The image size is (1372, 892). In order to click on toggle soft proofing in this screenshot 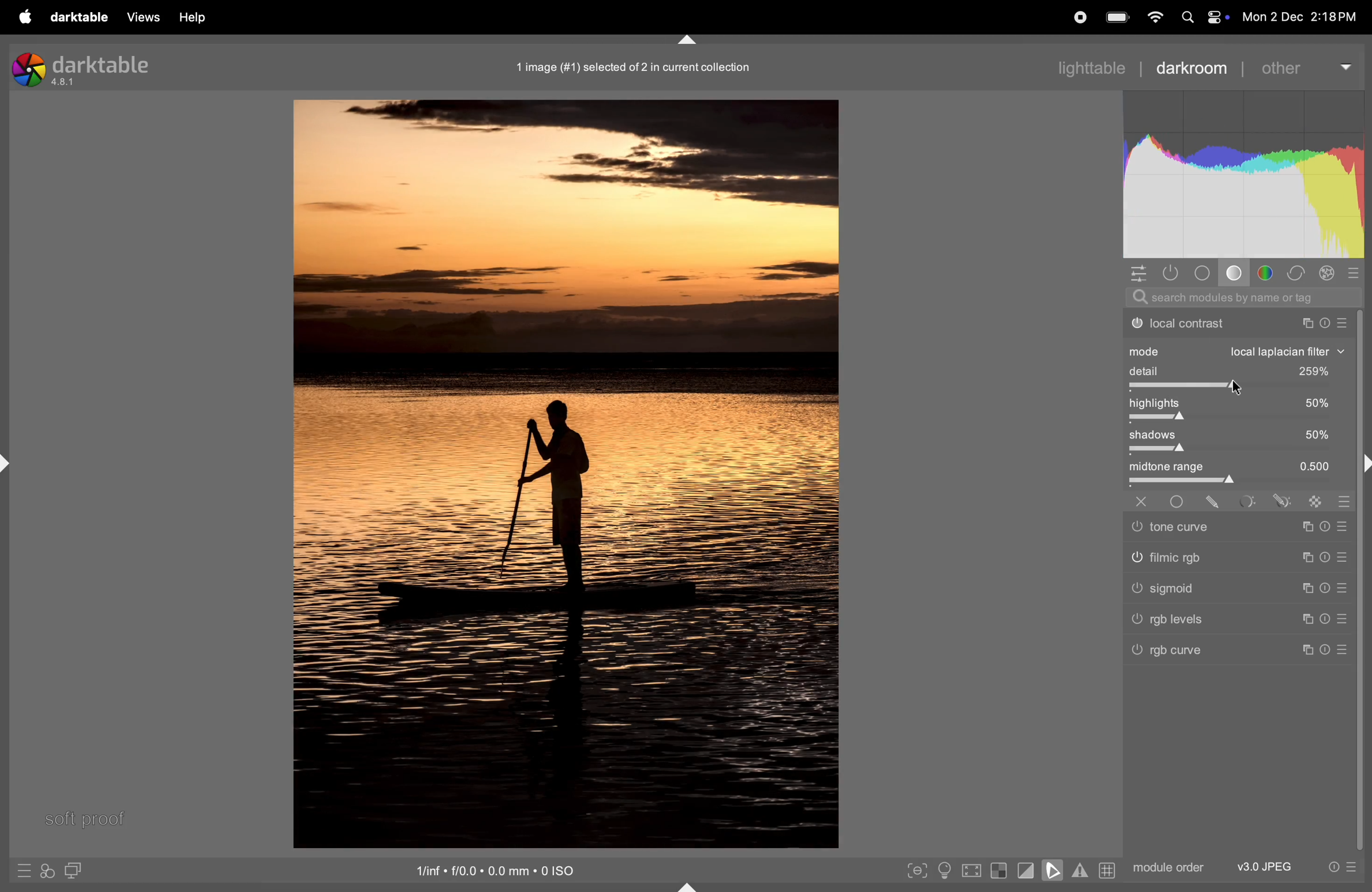, I will do `click(1051, 869)`.